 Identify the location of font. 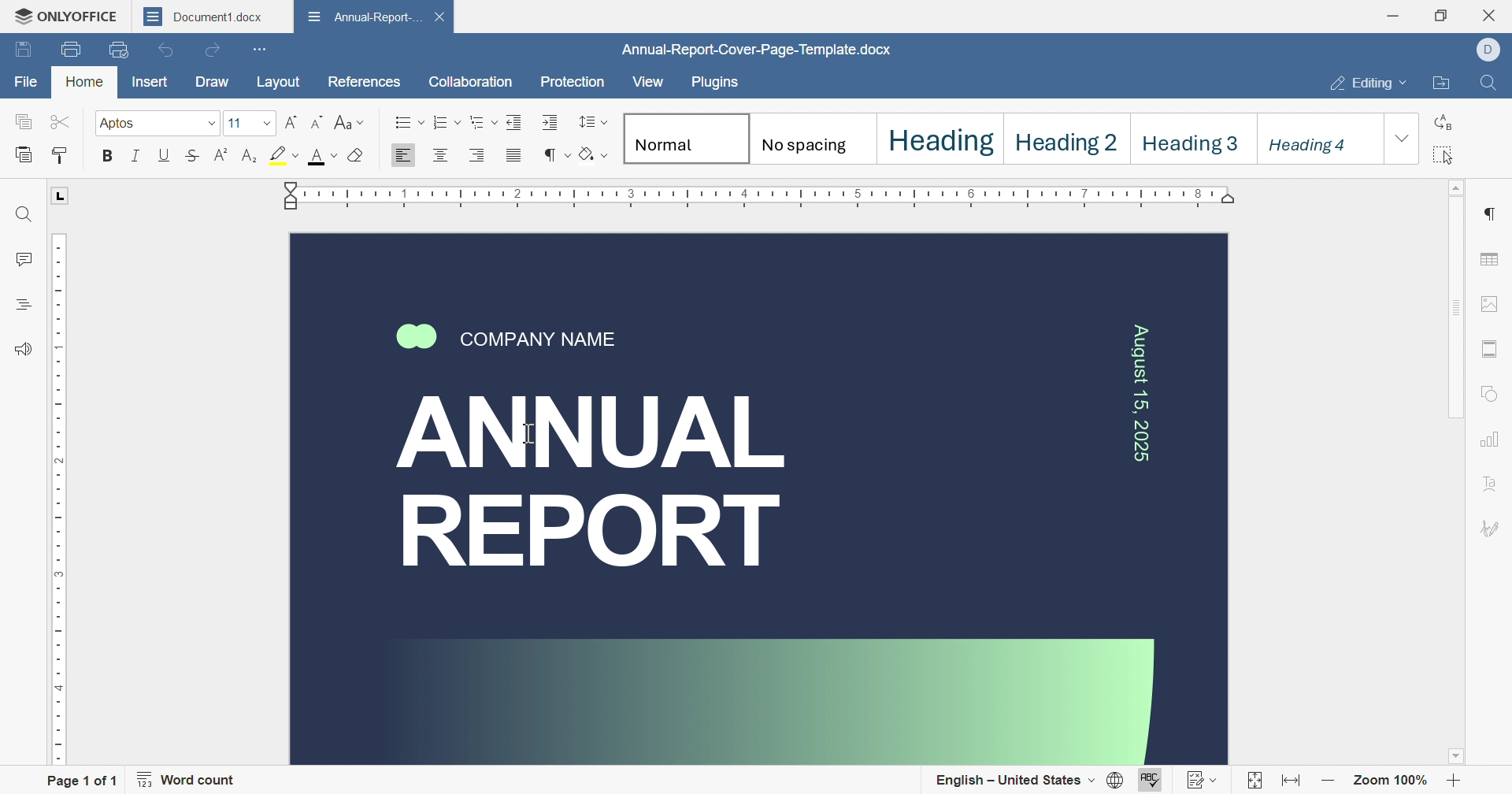
(324, 156).